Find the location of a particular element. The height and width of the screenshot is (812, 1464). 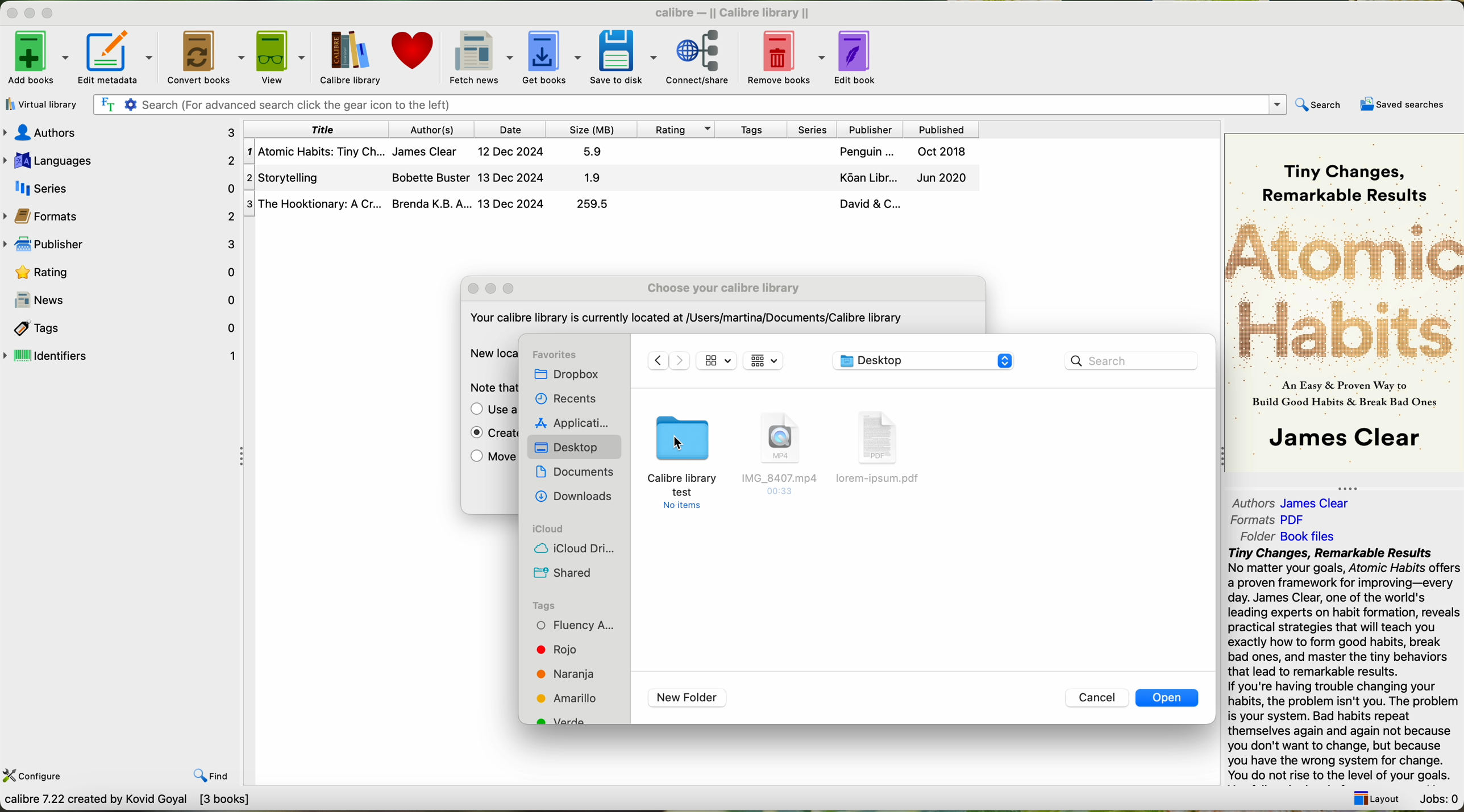

move is located at coordinates (490, 410).